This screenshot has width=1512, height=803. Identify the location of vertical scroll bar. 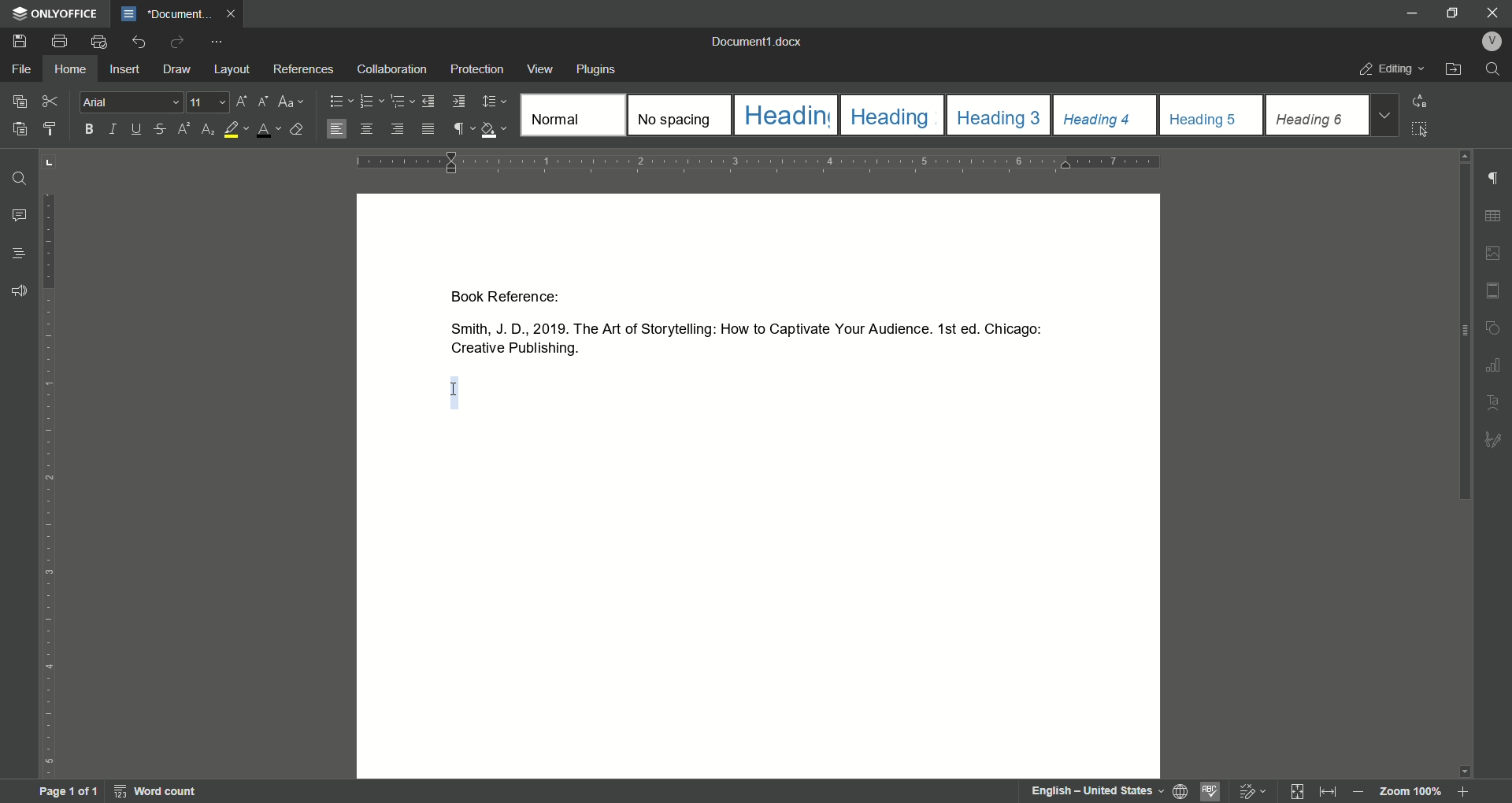
(1466, 335).